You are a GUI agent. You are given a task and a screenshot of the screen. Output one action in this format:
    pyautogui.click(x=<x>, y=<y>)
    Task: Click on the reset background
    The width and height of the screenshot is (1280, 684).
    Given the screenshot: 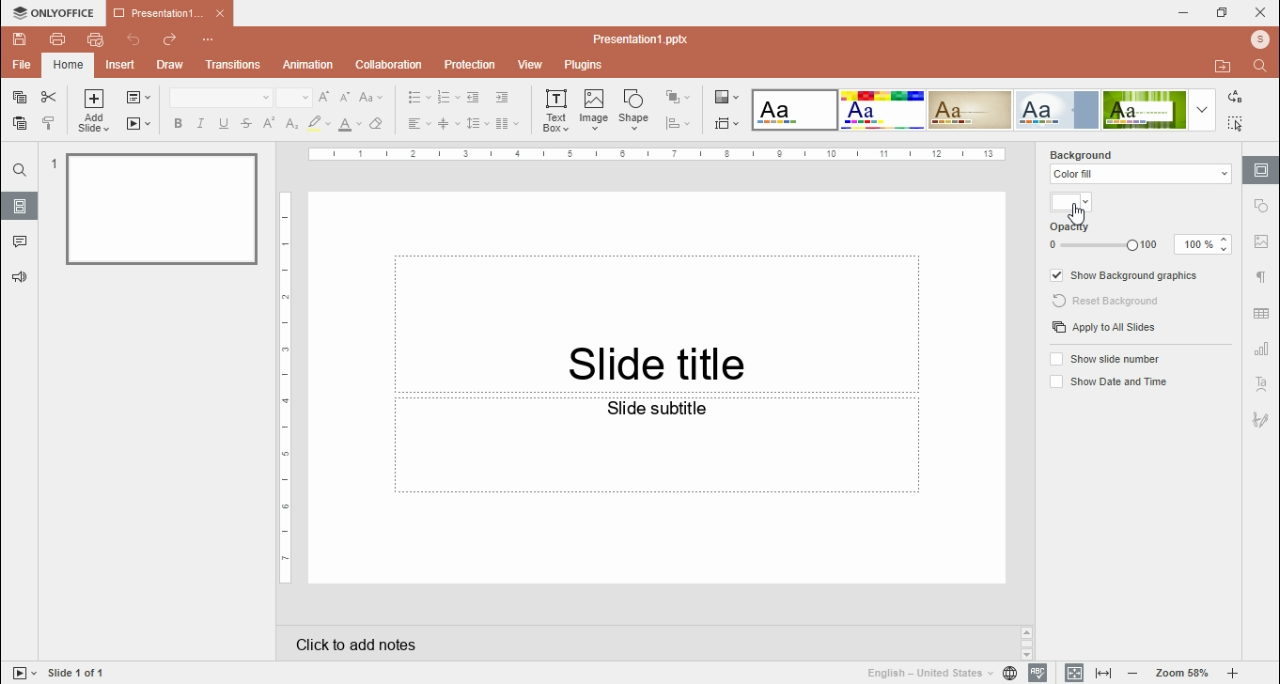 What is the action you would take?
    pyautogui.click(x=1108, y=302)
    